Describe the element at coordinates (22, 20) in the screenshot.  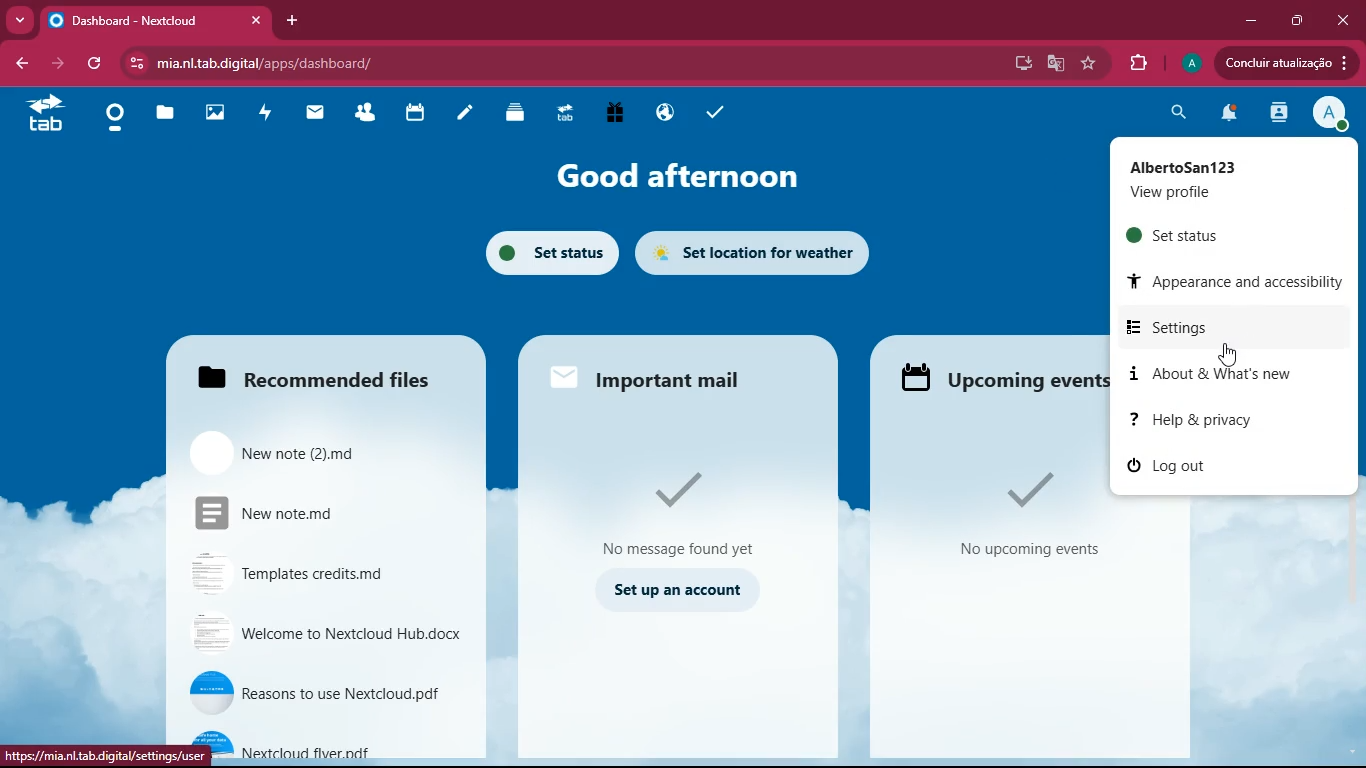
I see `more` at that location.